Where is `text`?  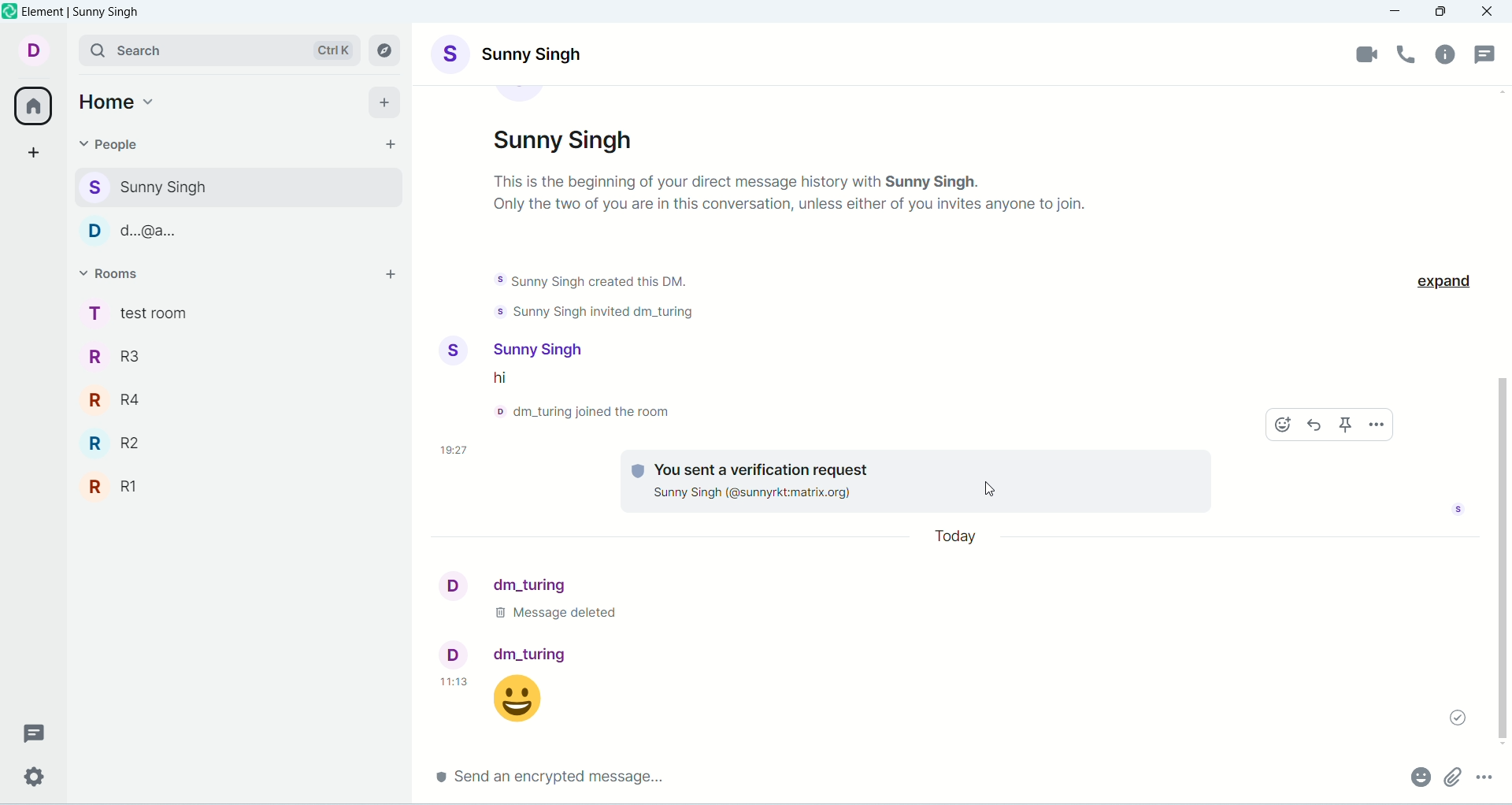
text is located at coordinates (606, 416).